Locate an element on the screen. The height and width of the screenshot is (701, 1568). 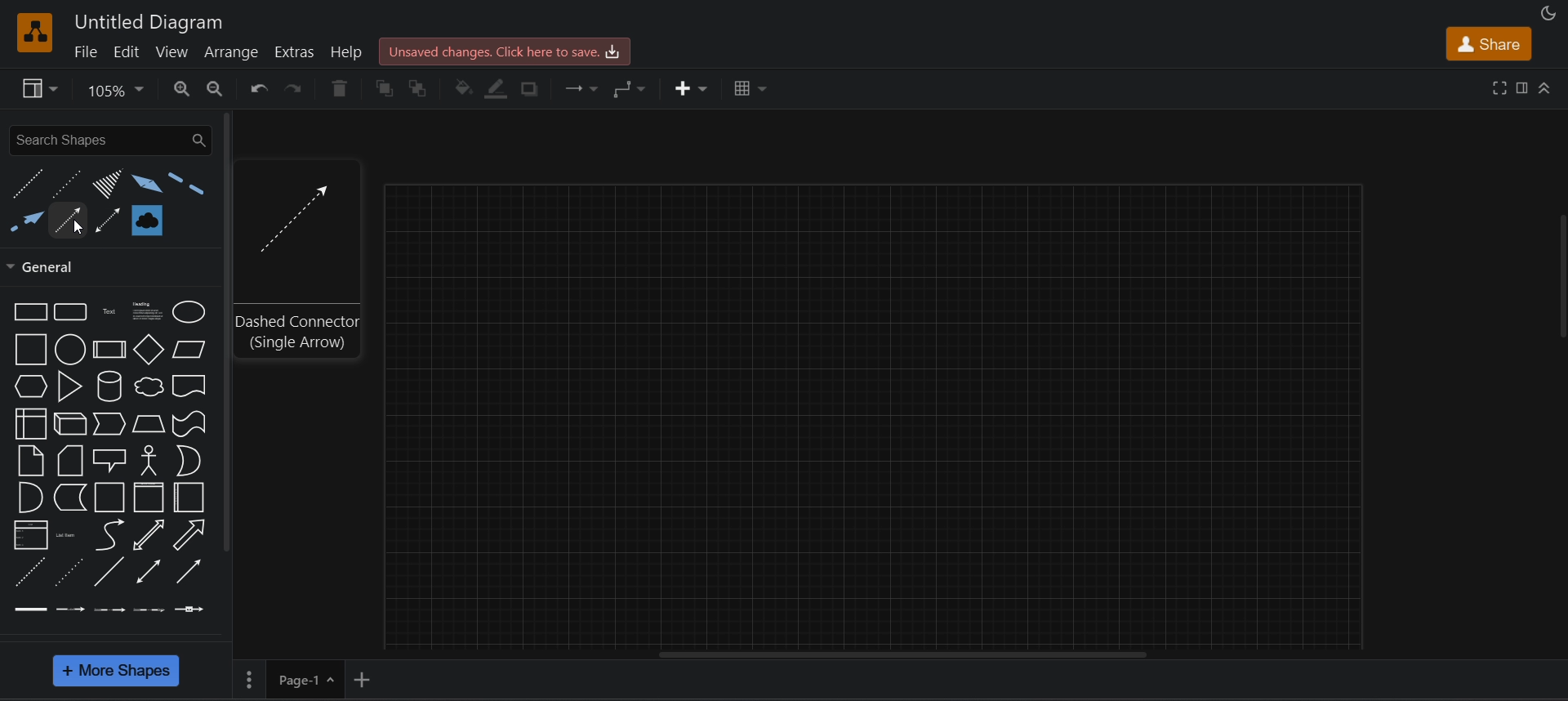
dotted line is located at coordinates (65, 183).